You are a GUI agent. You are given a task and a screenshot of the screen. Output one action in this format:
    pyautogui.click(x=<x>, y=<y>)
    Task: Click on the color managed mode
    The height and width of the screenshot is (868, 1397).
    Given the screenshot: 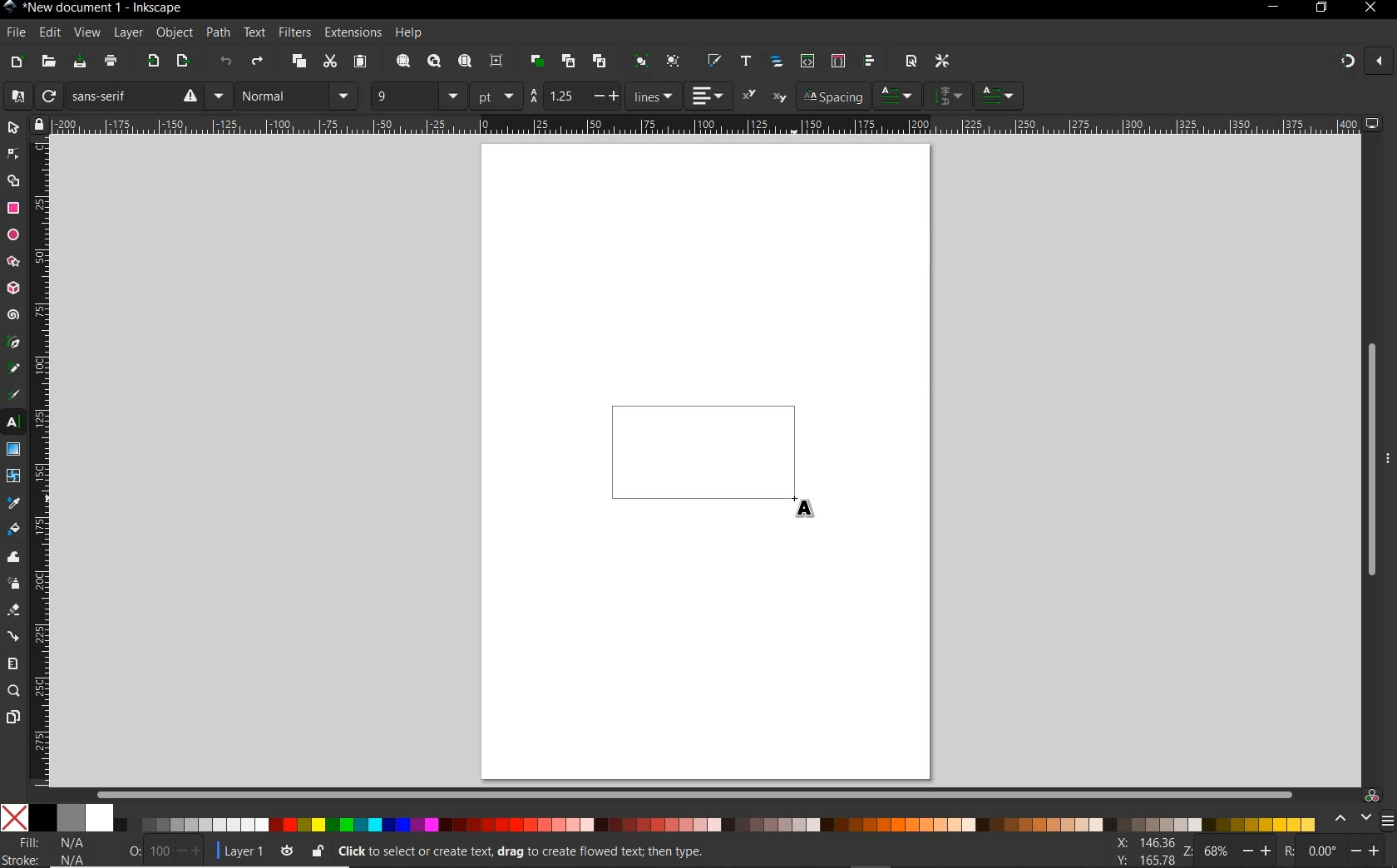 What is the action you would take?
    pyautogui.click(x=1370, y=795)
    